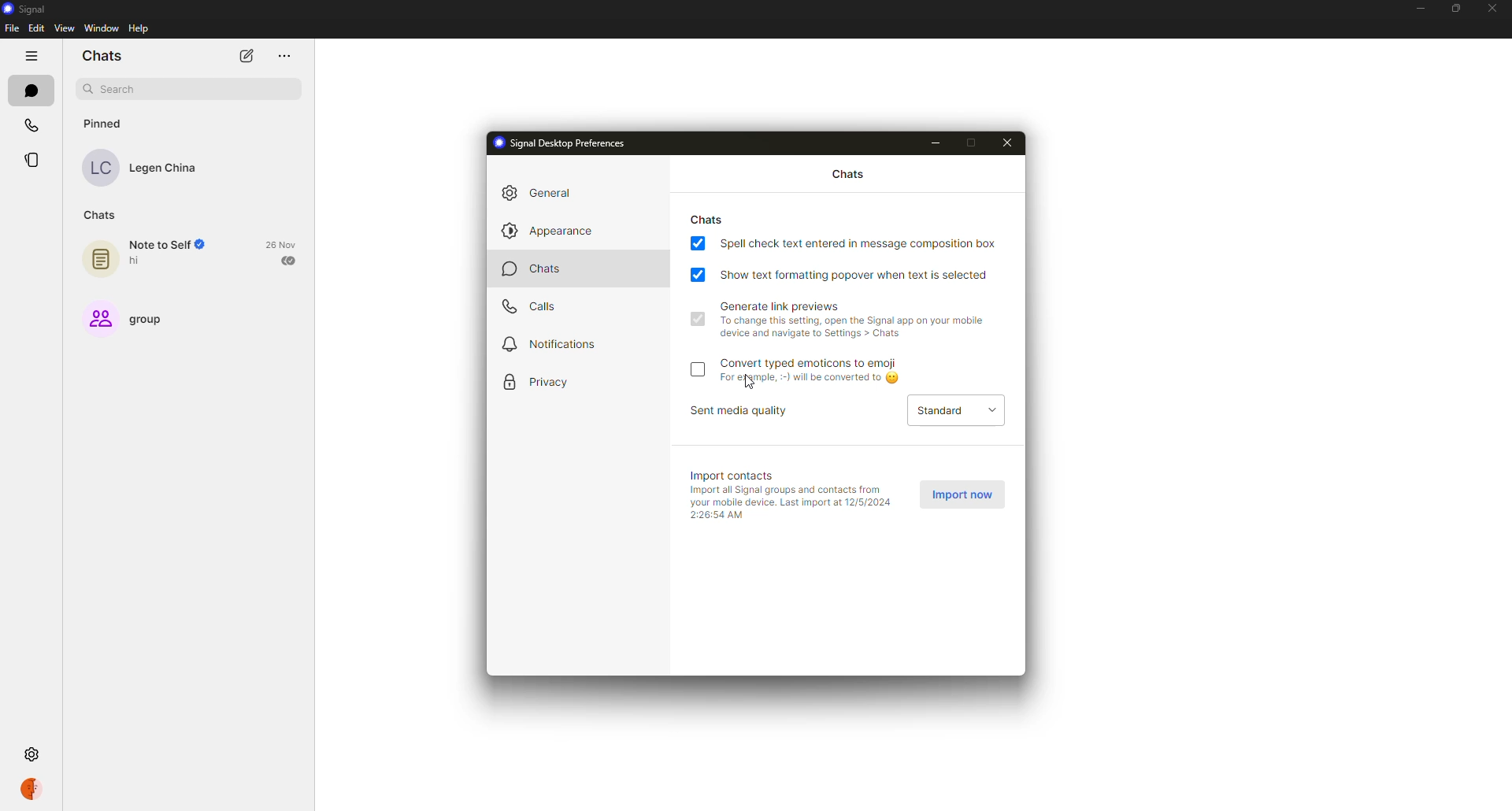 This screenshot has height=811, width=1512. I want to click on edit, so click(36, 28).